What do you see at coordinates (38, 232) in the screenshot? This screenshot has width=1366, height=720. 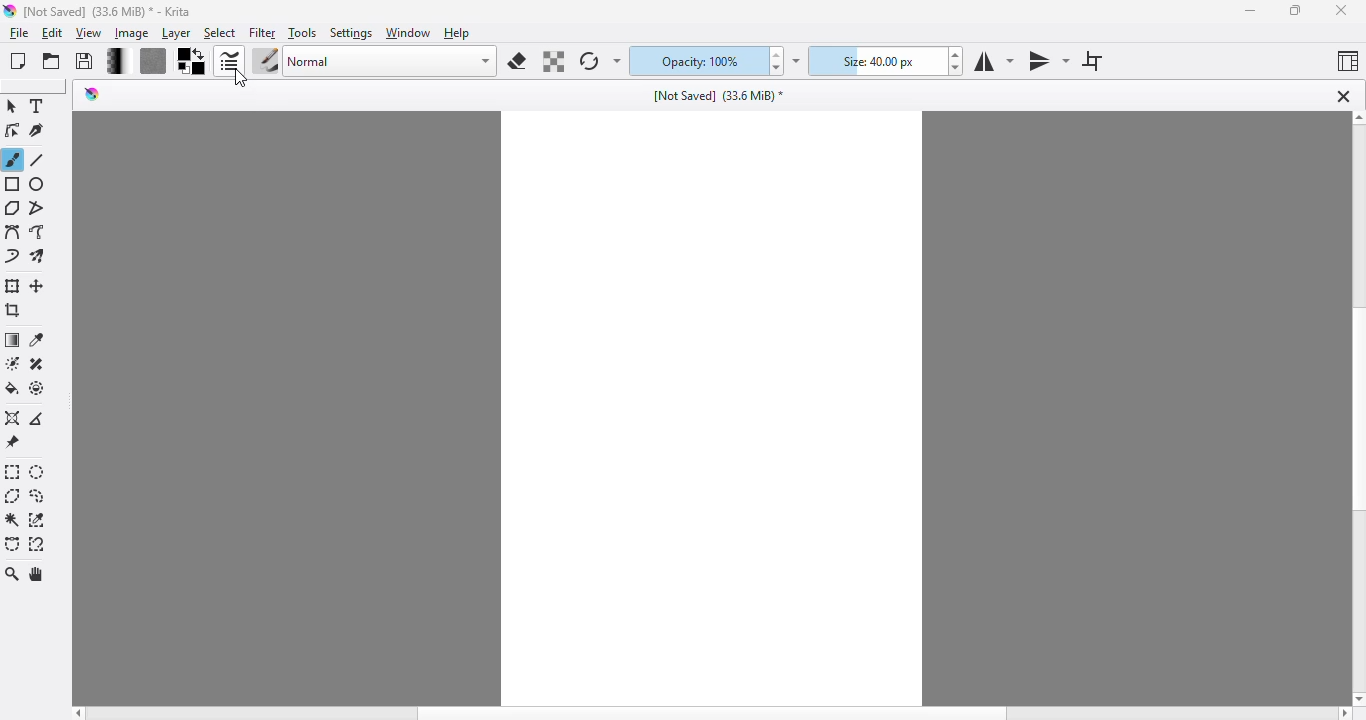 I see `freehand path tool` at bounding box center [38, 232].